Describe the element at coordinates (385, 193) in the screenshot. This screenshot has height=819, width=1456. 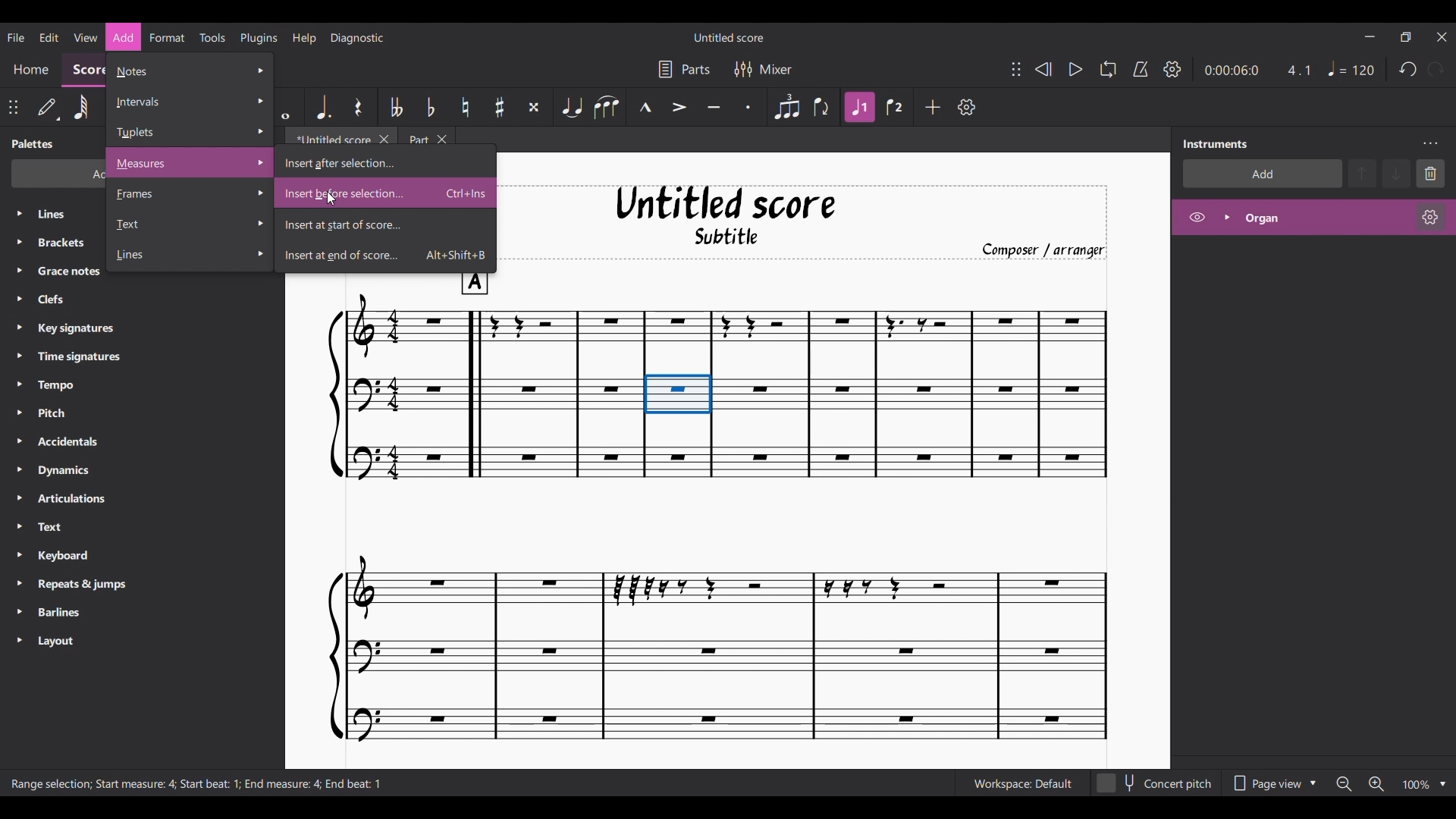
I see `Insert before selection` at that location.